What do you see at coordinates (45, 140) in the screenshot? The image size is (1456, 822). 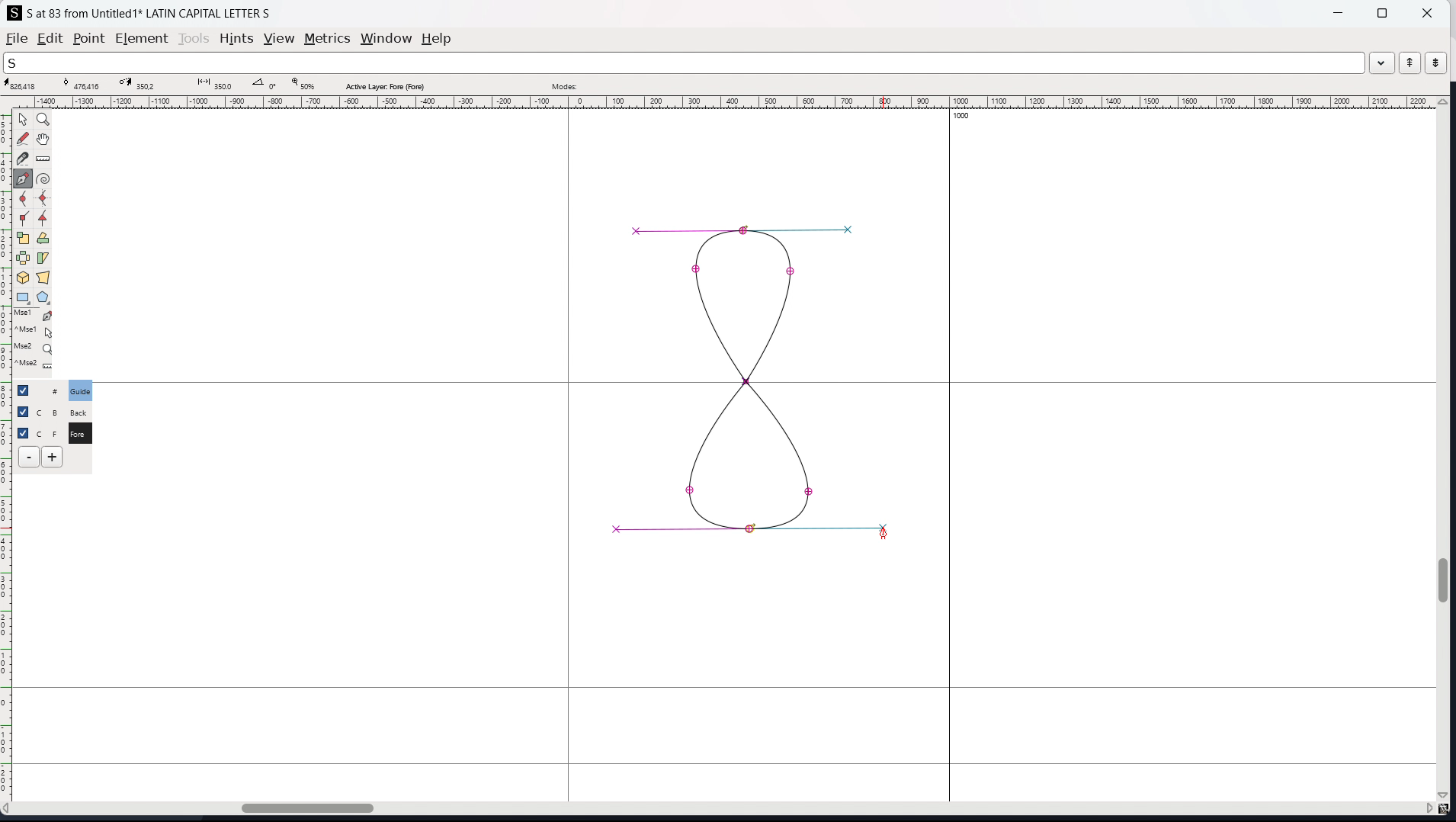 I see `scroll by hand` at bounding box center [45, 140].